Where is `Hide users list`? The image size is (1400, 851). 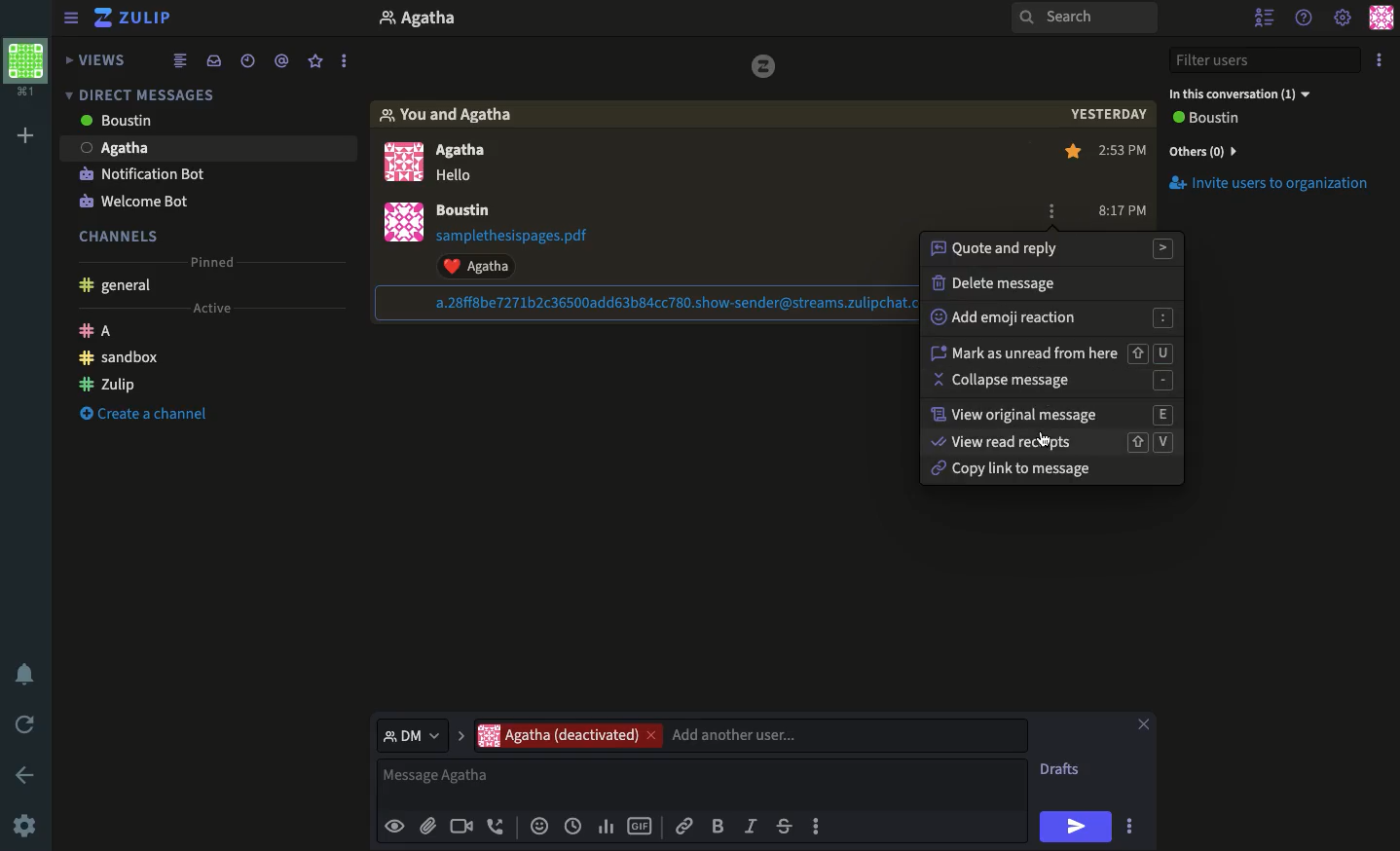 Hide users list is located at coordinates (1264, 16).